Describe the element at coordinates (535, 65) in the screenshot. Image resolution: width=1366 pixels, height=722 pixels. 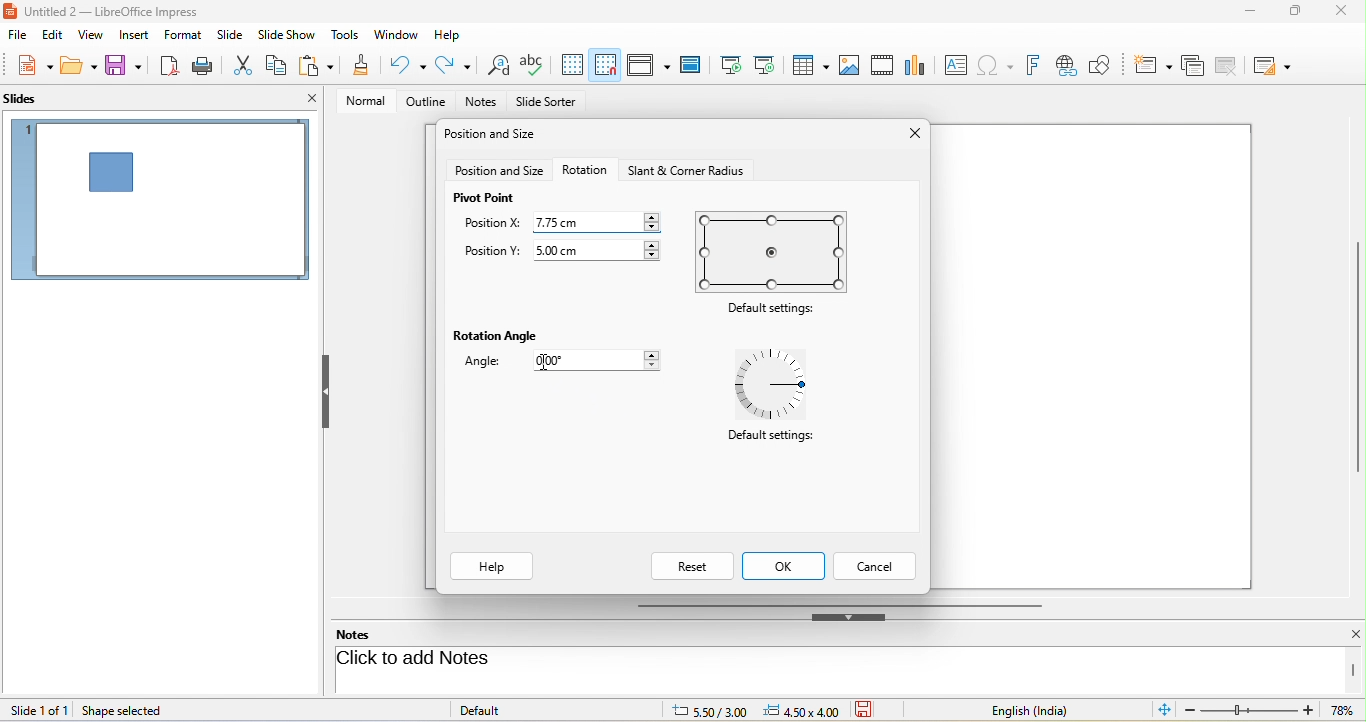
I see `spelling` at that location.